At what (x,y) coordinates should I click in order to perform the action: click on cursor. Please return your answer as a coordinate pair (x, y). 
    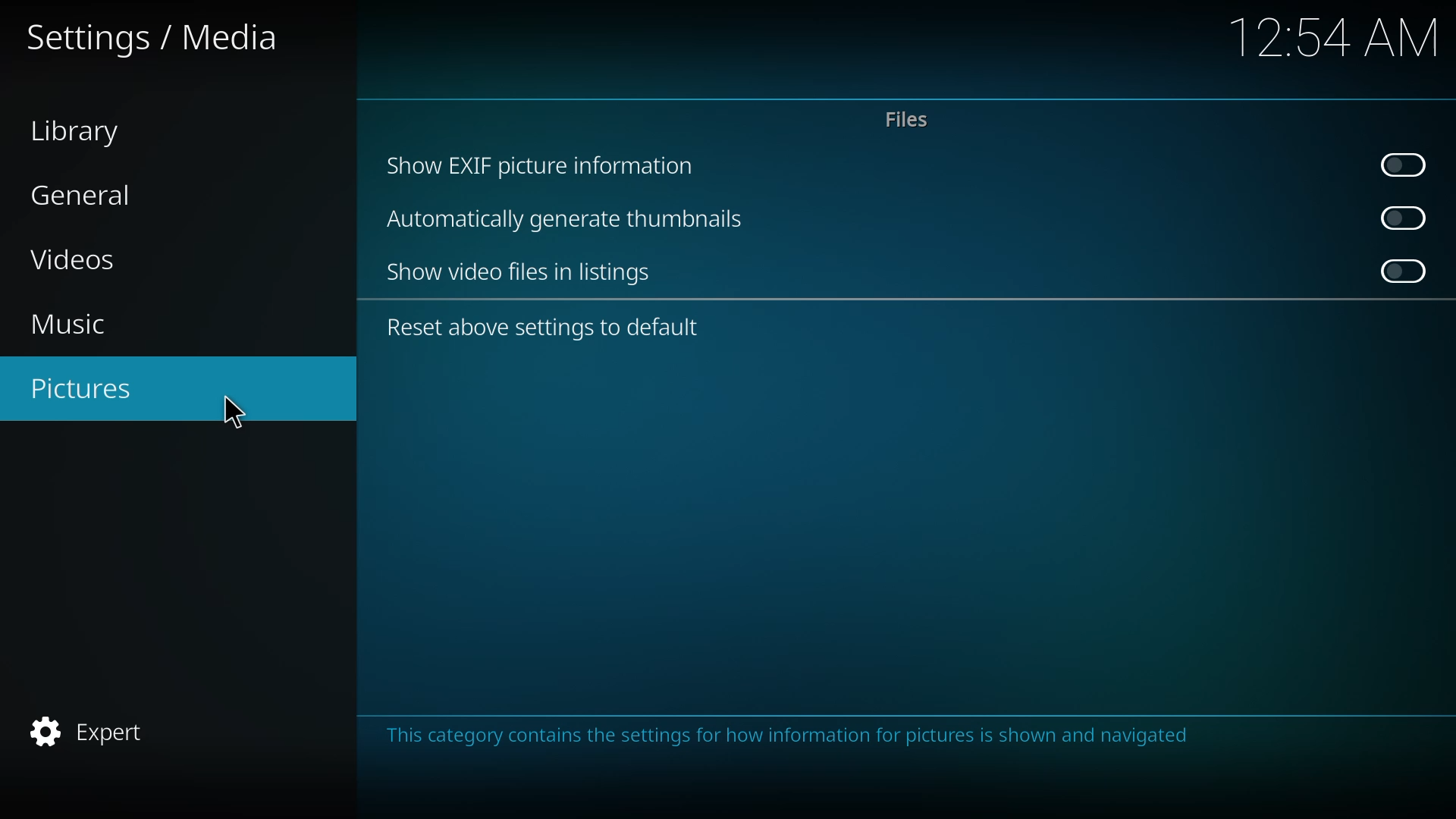
    Looking at the image, I should click on (232, 409).